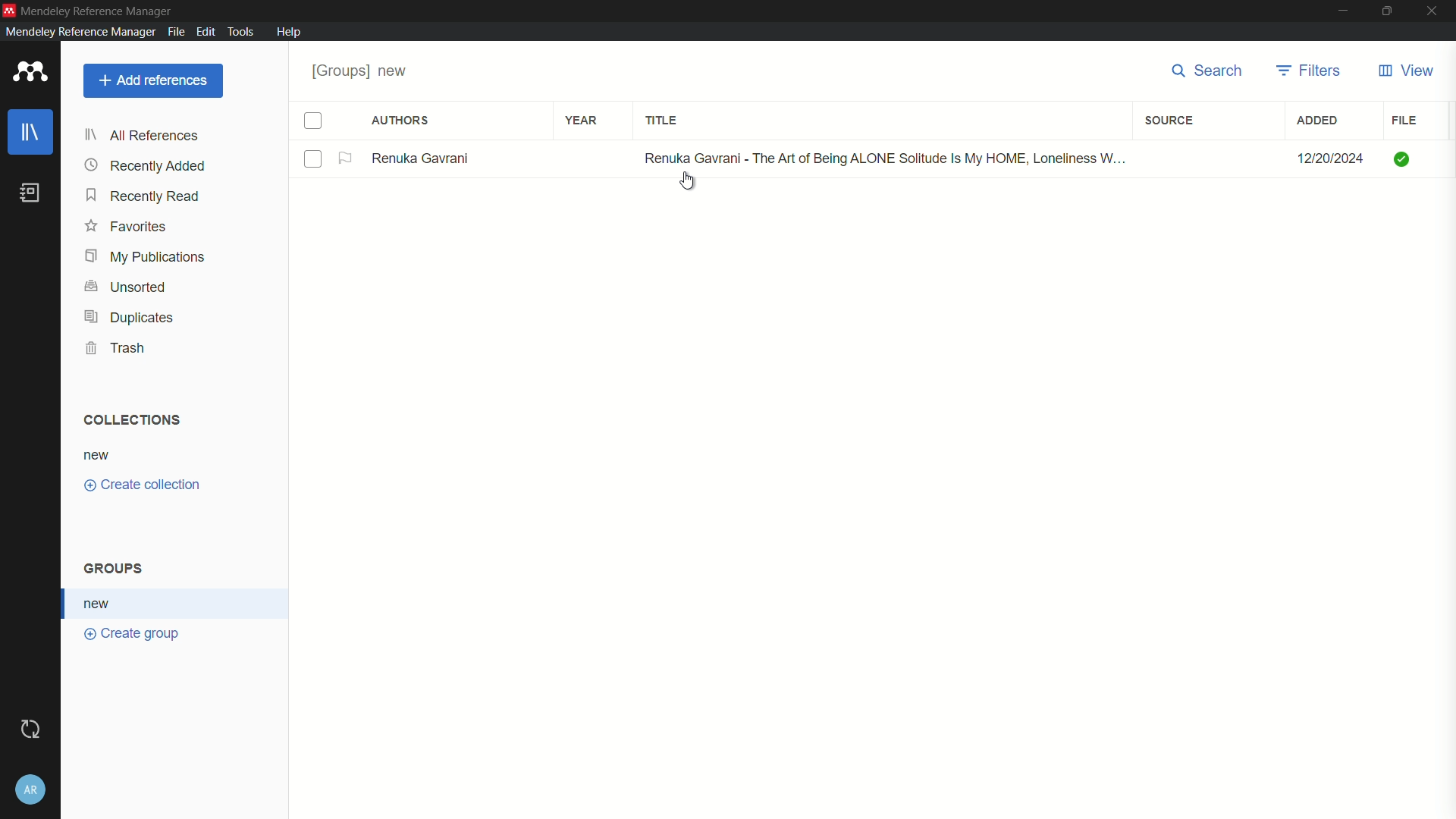 The height and width of the screenshot is (819, 1456). Describe the element at coordinates (1400, 159) in the screenshot. I see `checkmark` at that location.